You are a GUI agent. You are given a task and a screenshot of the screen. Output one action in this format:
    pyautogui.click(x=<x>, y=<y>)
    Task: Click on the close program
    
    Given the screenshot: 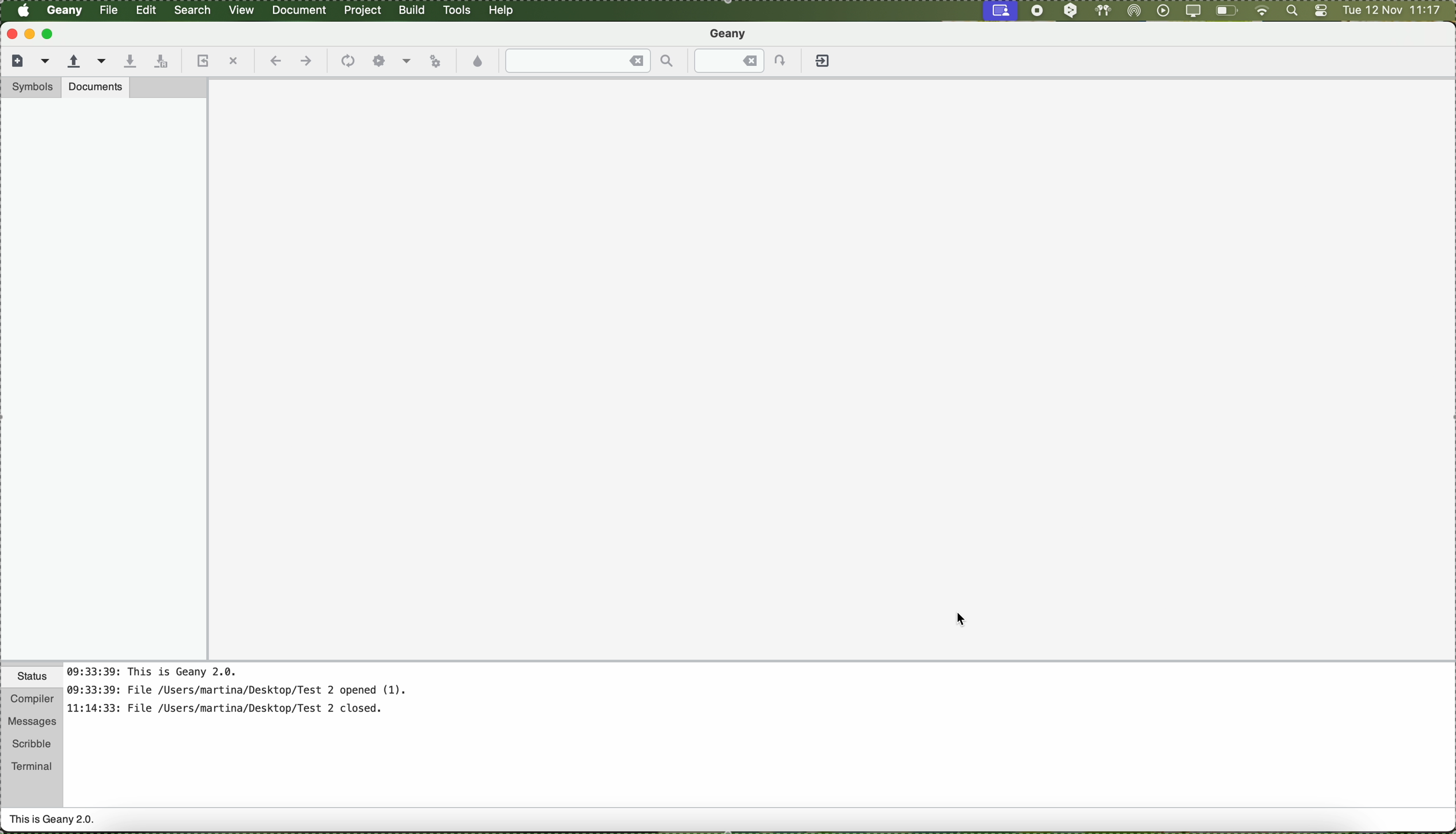 What is the action you would take?
    pyautogui.click(x=10, y=33)
    